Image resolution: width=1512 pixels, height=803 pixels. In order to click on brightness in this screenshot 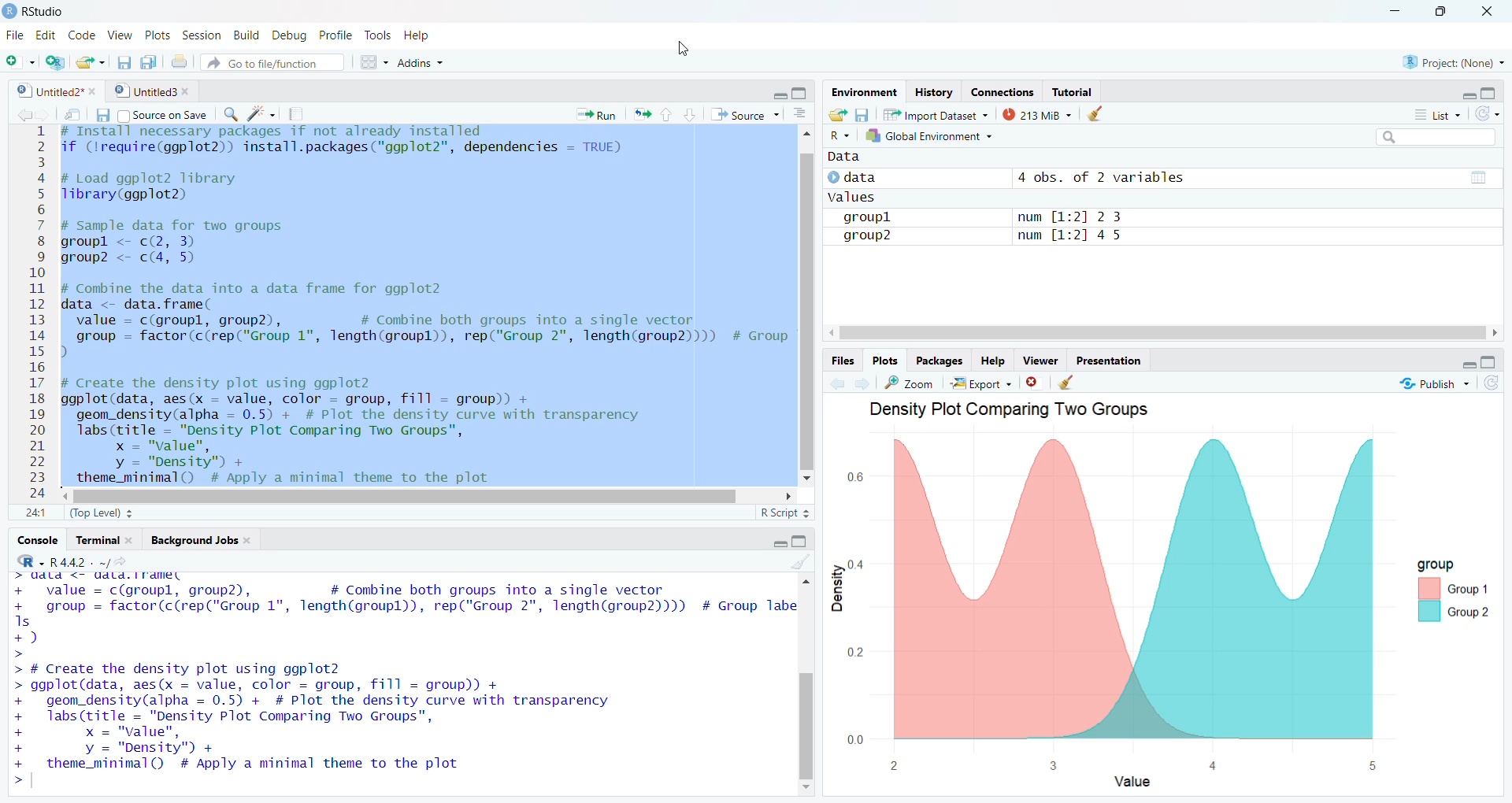, I will do `click(263, 112)`.